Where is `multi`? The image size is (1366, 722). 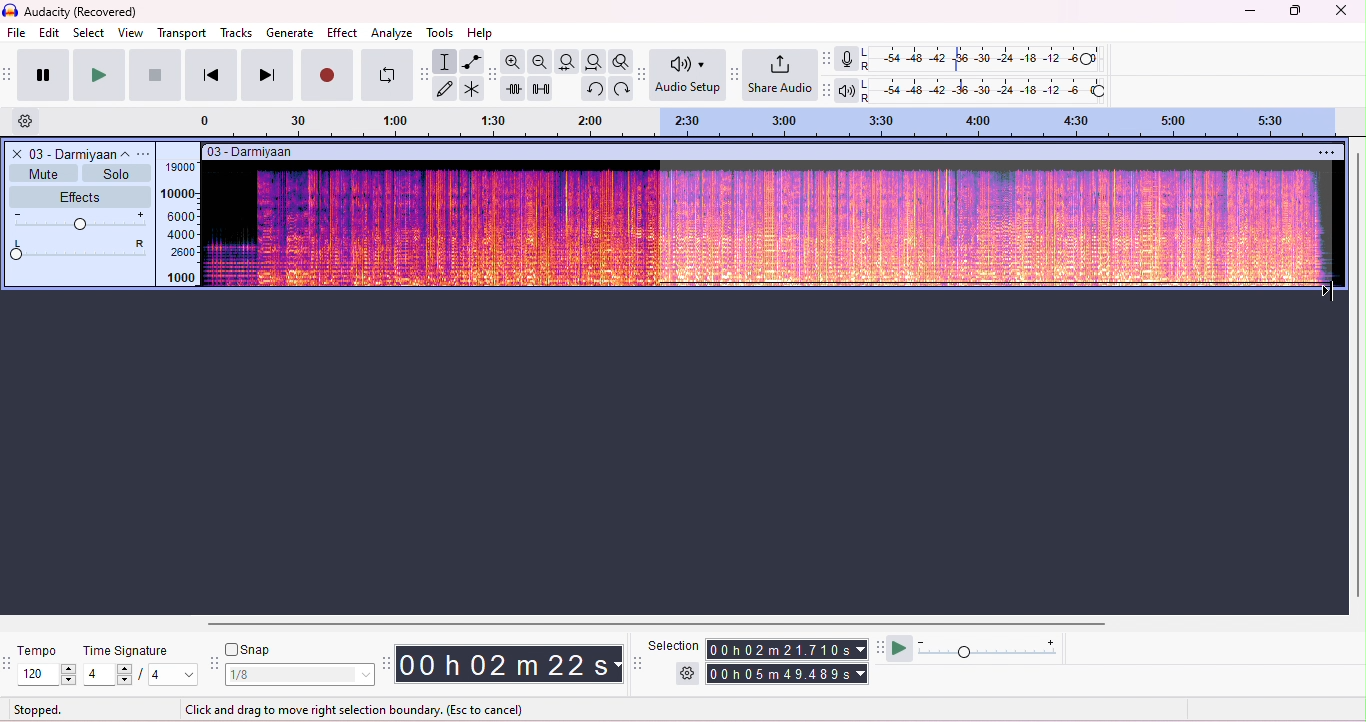
multi is located at coordinates (473, 90).